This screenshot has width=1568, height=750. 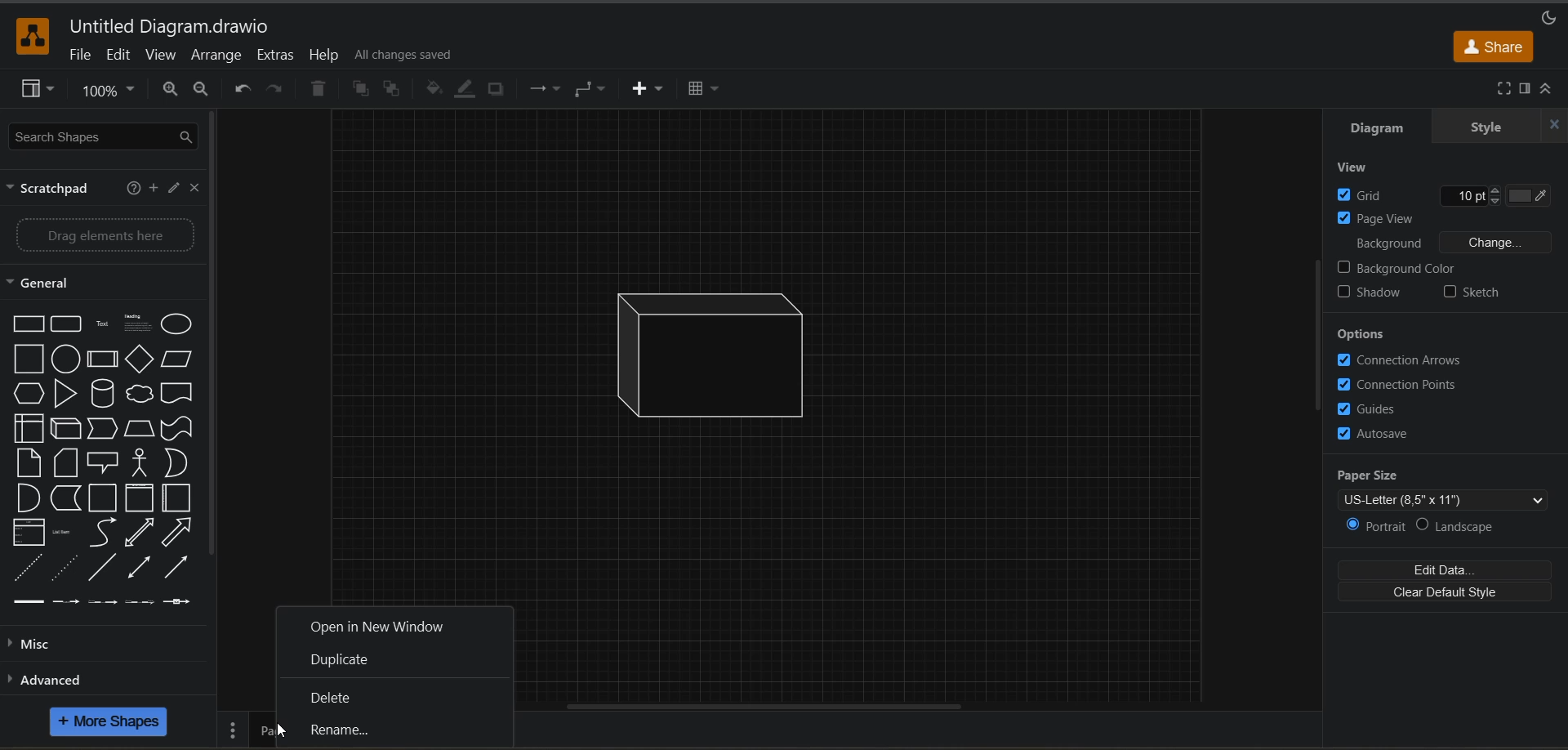 I want to click on landscape, so click(x=1466, y=526).